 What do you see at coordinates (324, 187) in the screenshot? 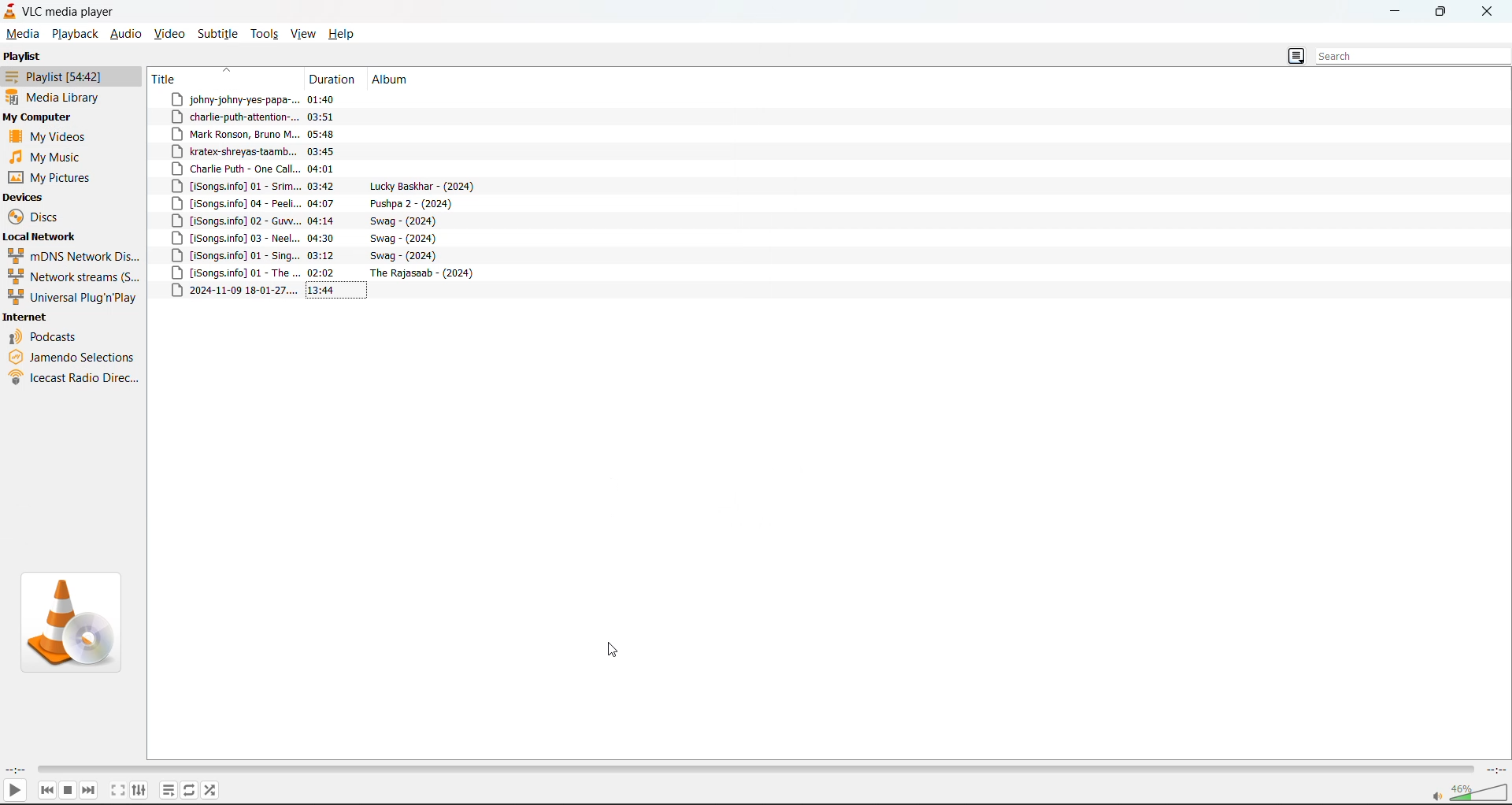
I see `track 6 title, duration and album details` at bounding box center [324, 187].